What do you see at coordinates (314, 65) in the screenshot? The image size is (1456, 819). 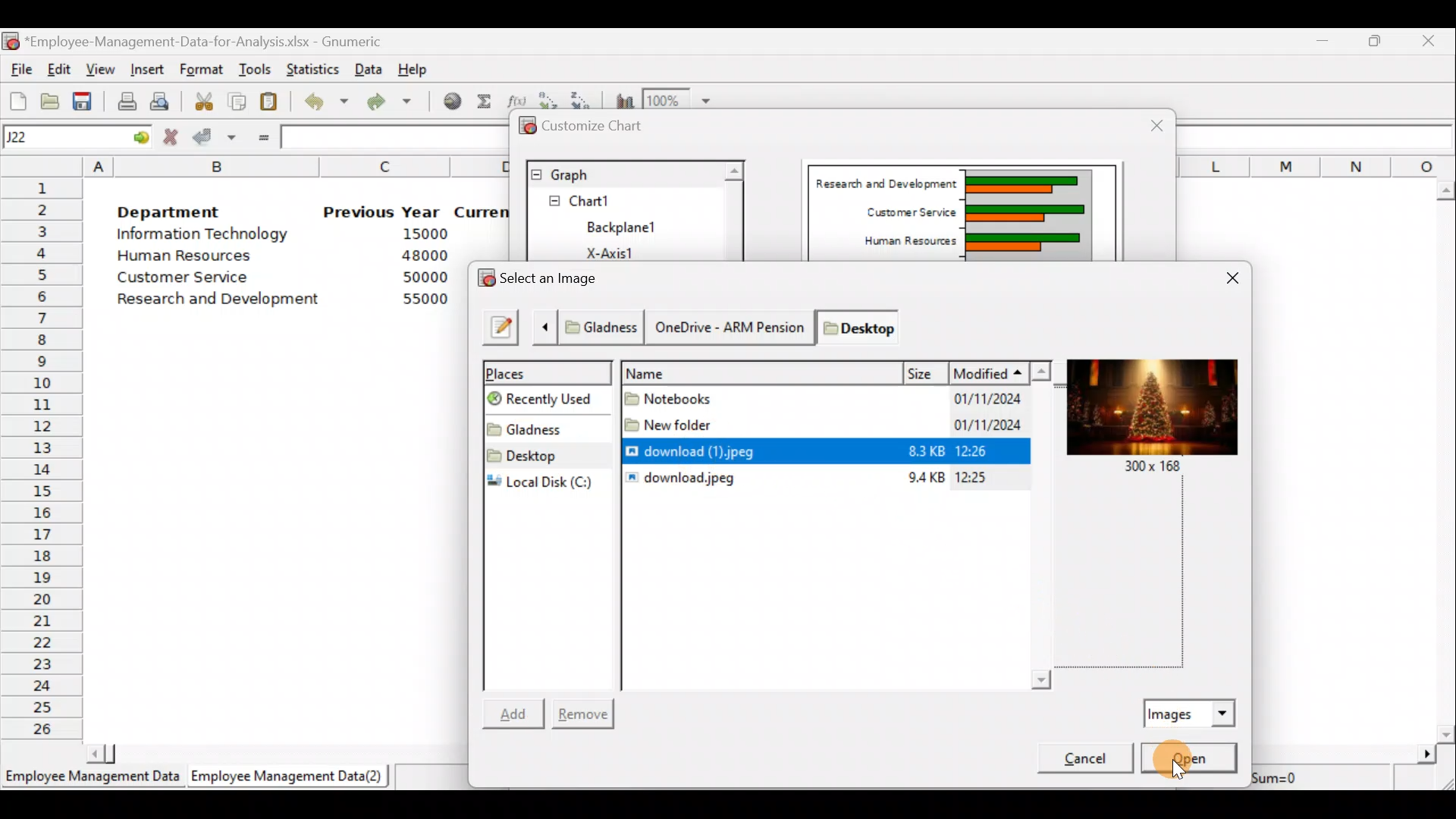 I see `Statistics` at bounding box center [314, 65].